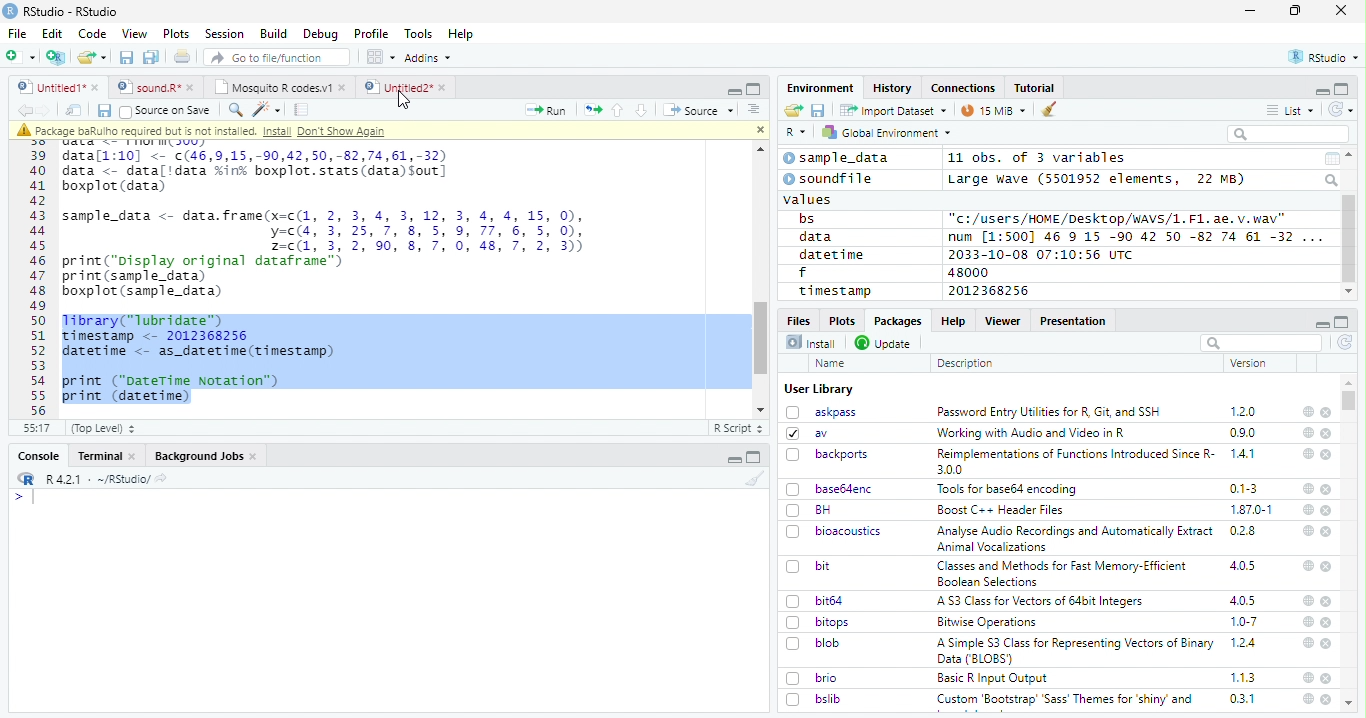 Image resolution: width=1366 pixels, height=718 pixels. What do you see at coordinates (841, 320) in the screenshot?
I see `Plots` at bounding box center [841, 320].